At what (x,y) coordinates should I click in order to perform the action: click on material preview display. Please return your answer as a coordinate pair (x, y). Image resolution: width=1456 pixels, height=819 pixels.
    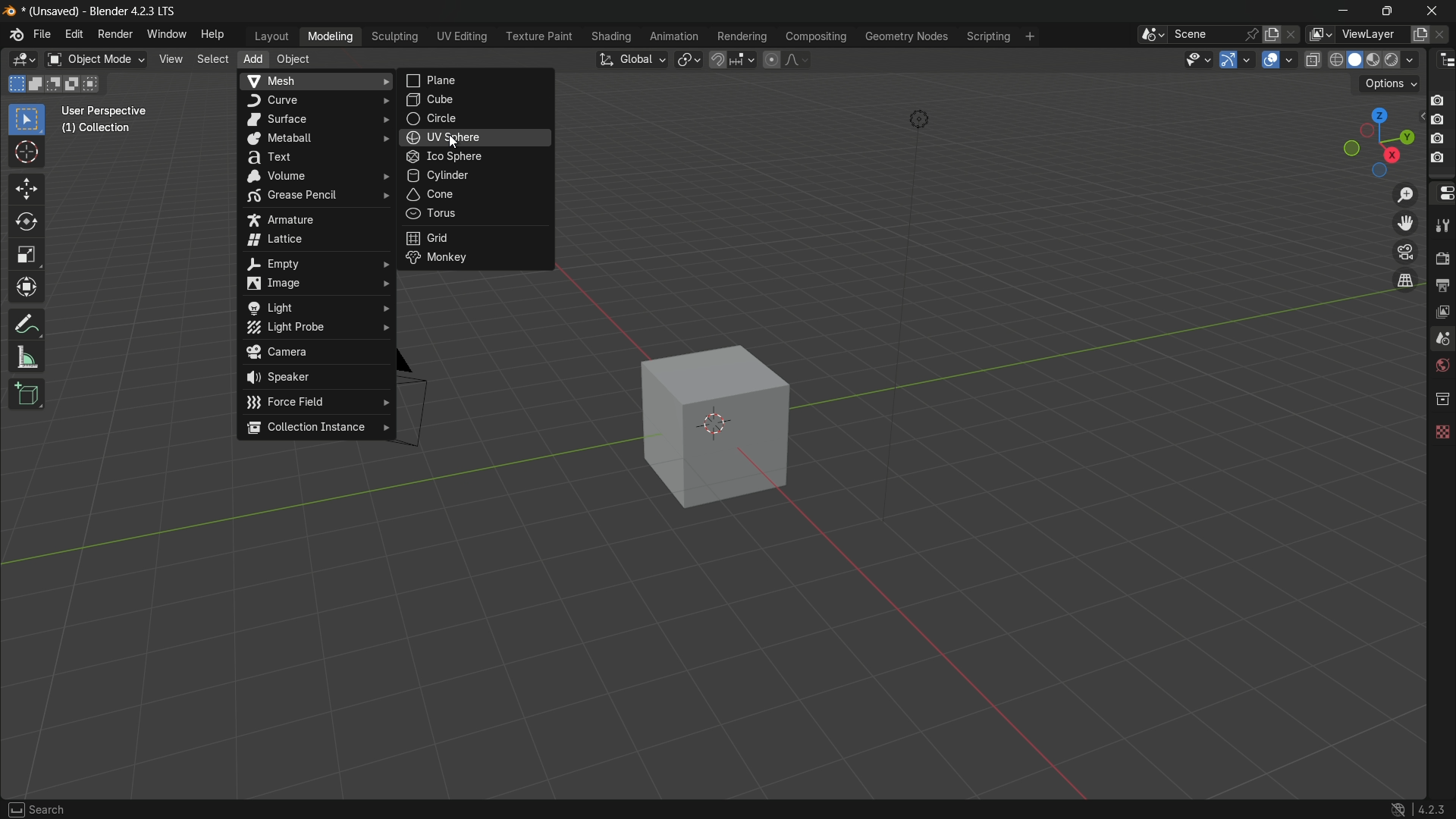
    Looking at the image, I should click on (1375, 58).